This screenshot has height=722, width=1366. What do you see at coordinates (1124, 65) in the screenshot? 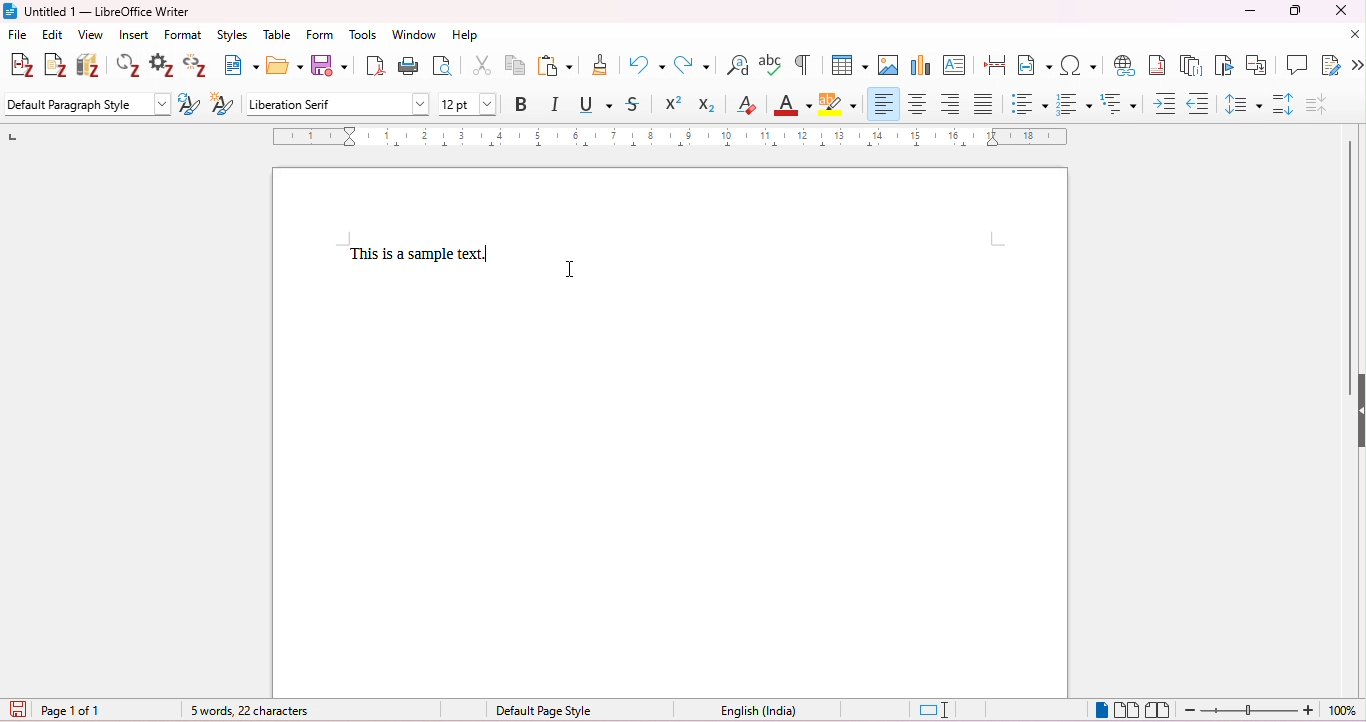
I see `insert hyperlink` at bounding box center [1124, 65].